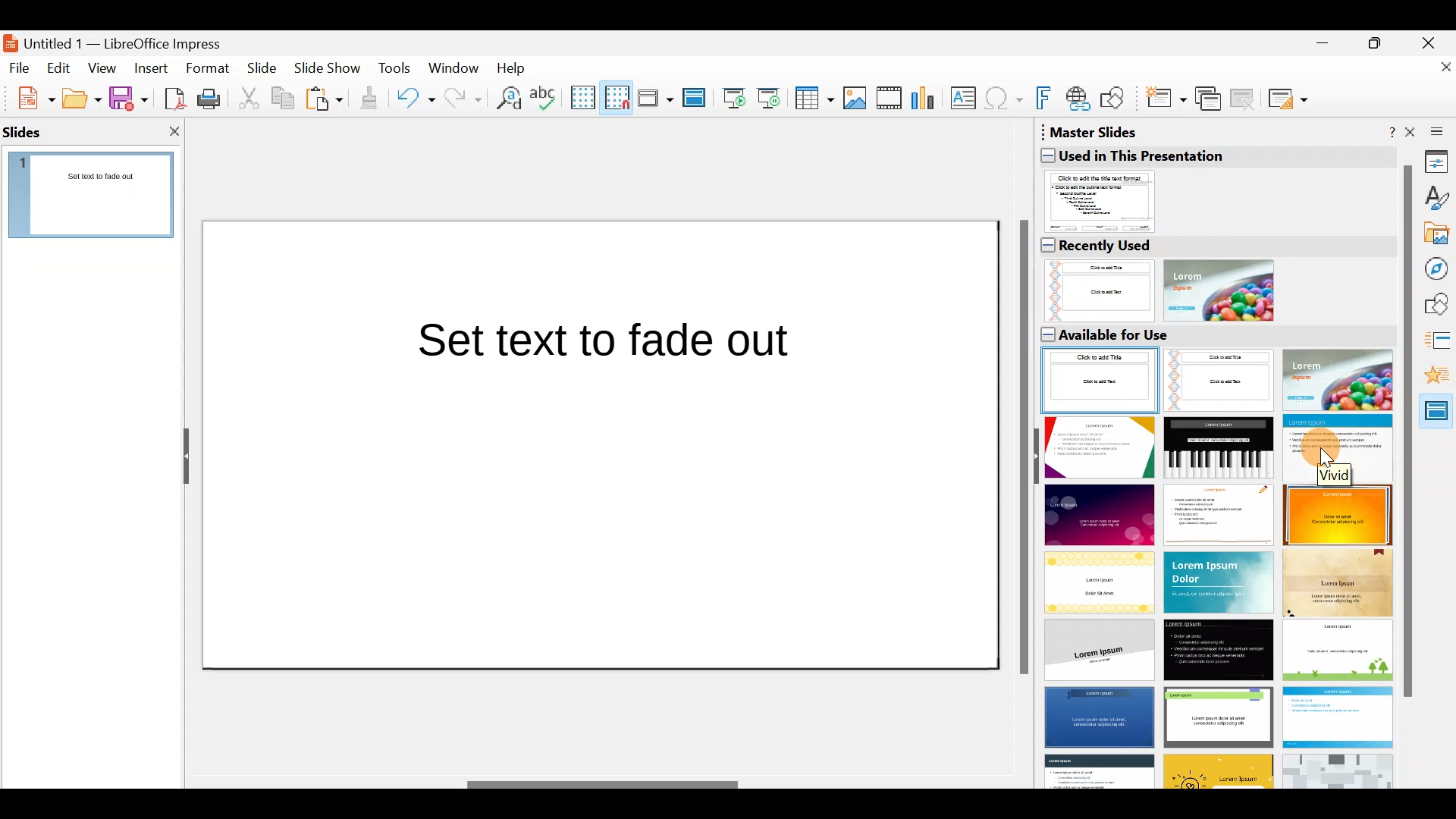 The image size is (1456, 819). I want to click on Save, so click(128, 97).